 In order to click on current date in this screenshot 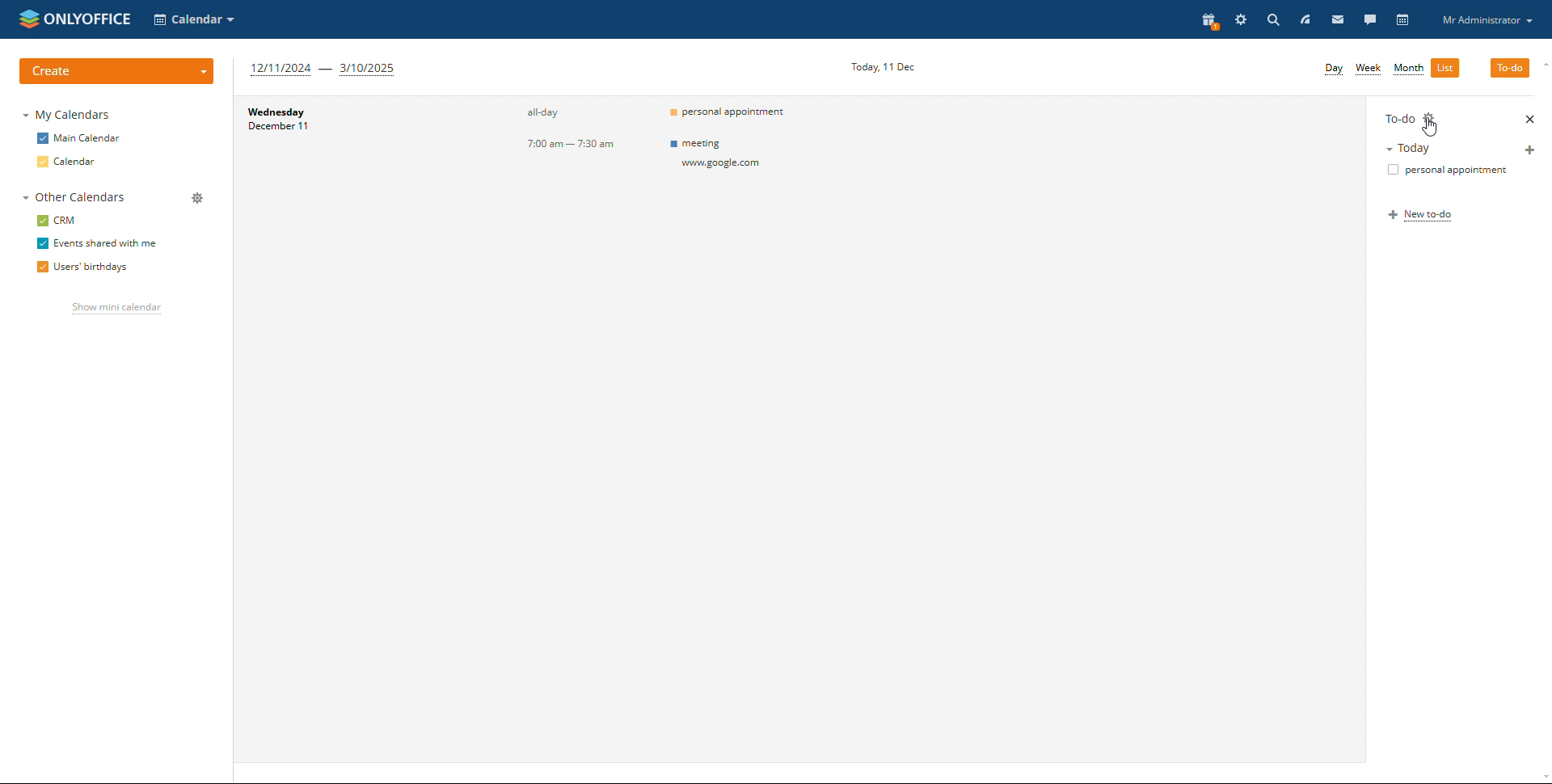, I will do `click(884, 66)`.